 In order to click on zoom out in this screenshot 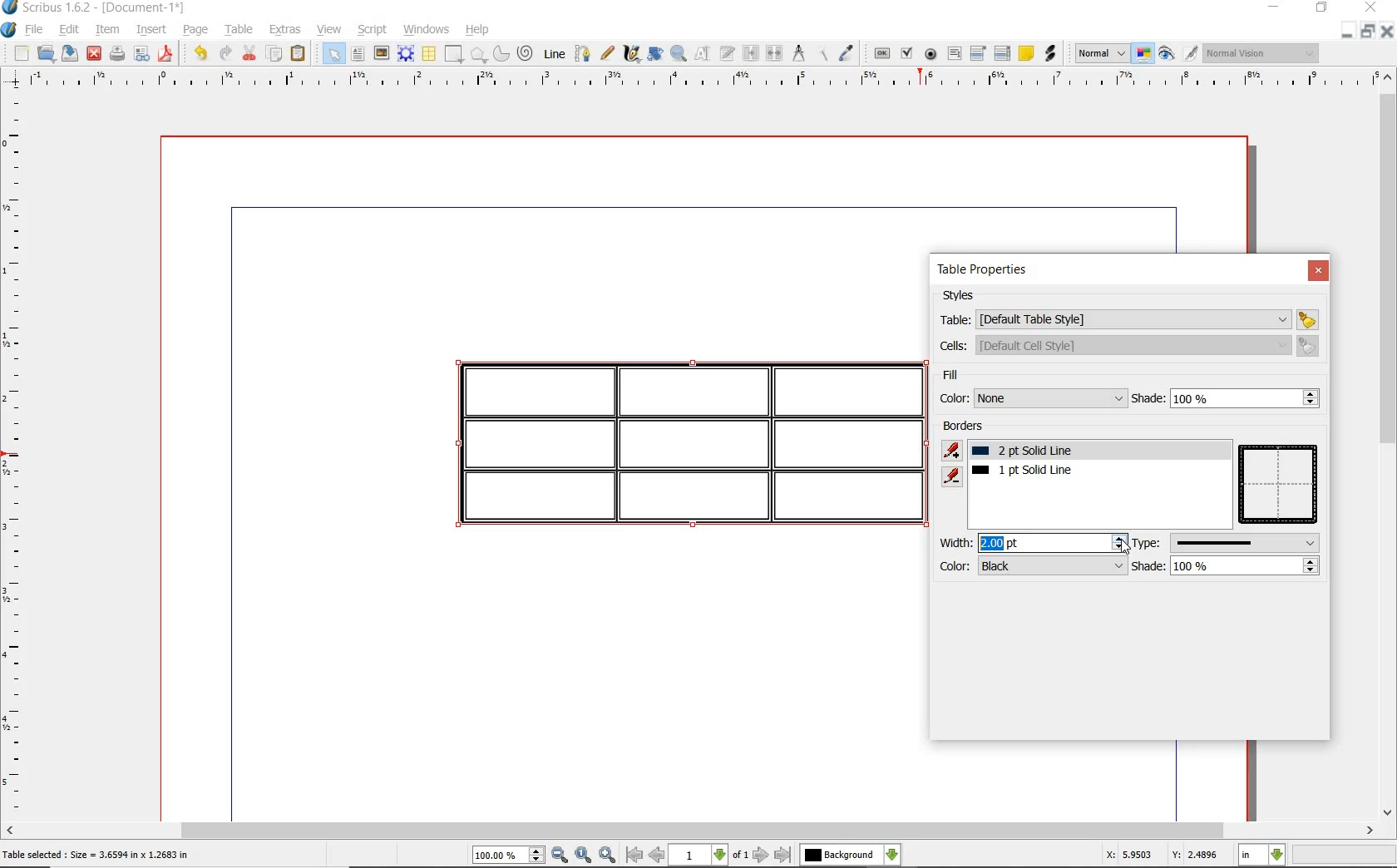, I will do `click(560, 856)`.